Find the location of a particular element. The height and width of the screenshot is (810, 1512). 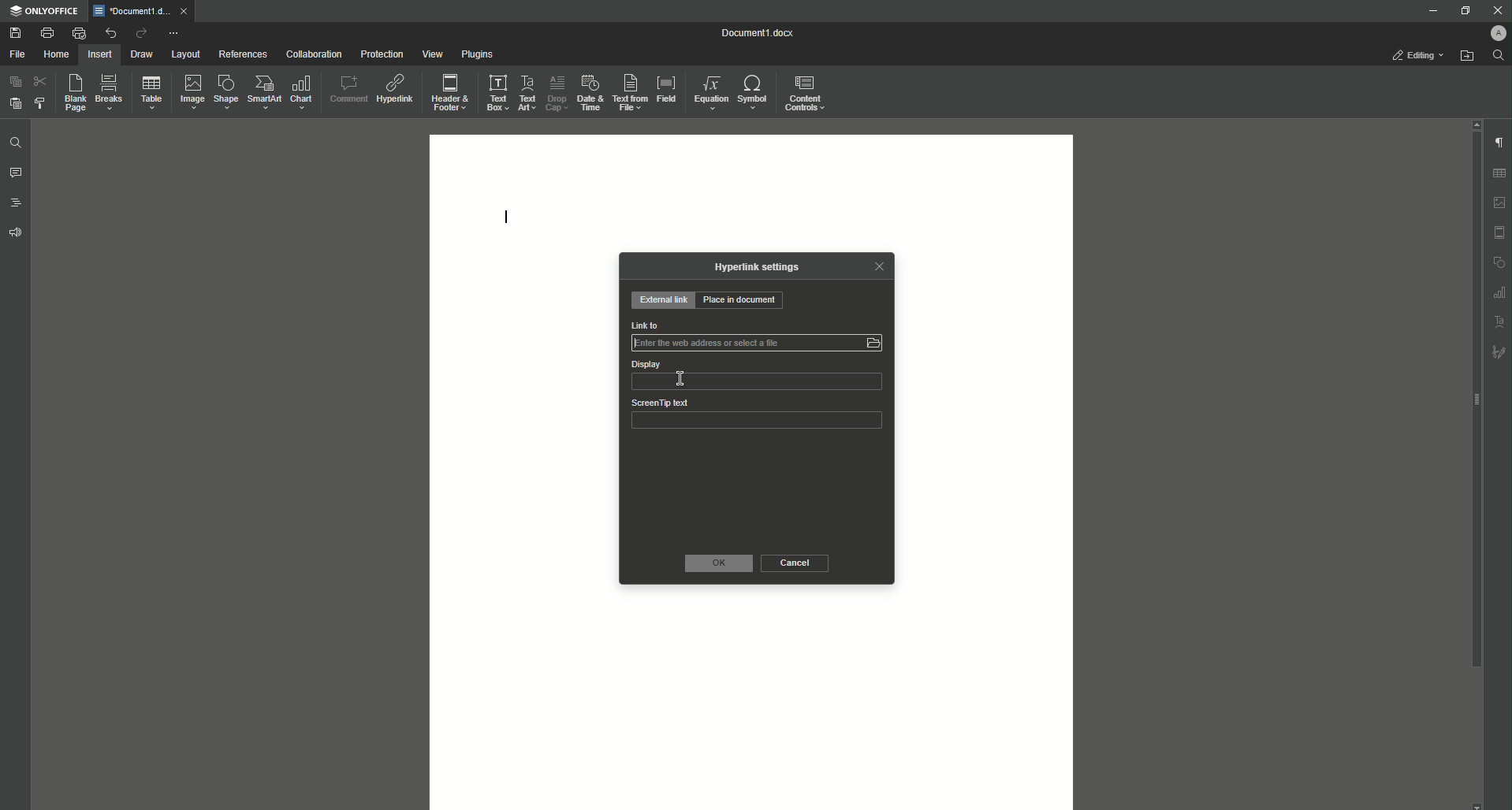

ScreenTip text is located at coordinates (758, 423).